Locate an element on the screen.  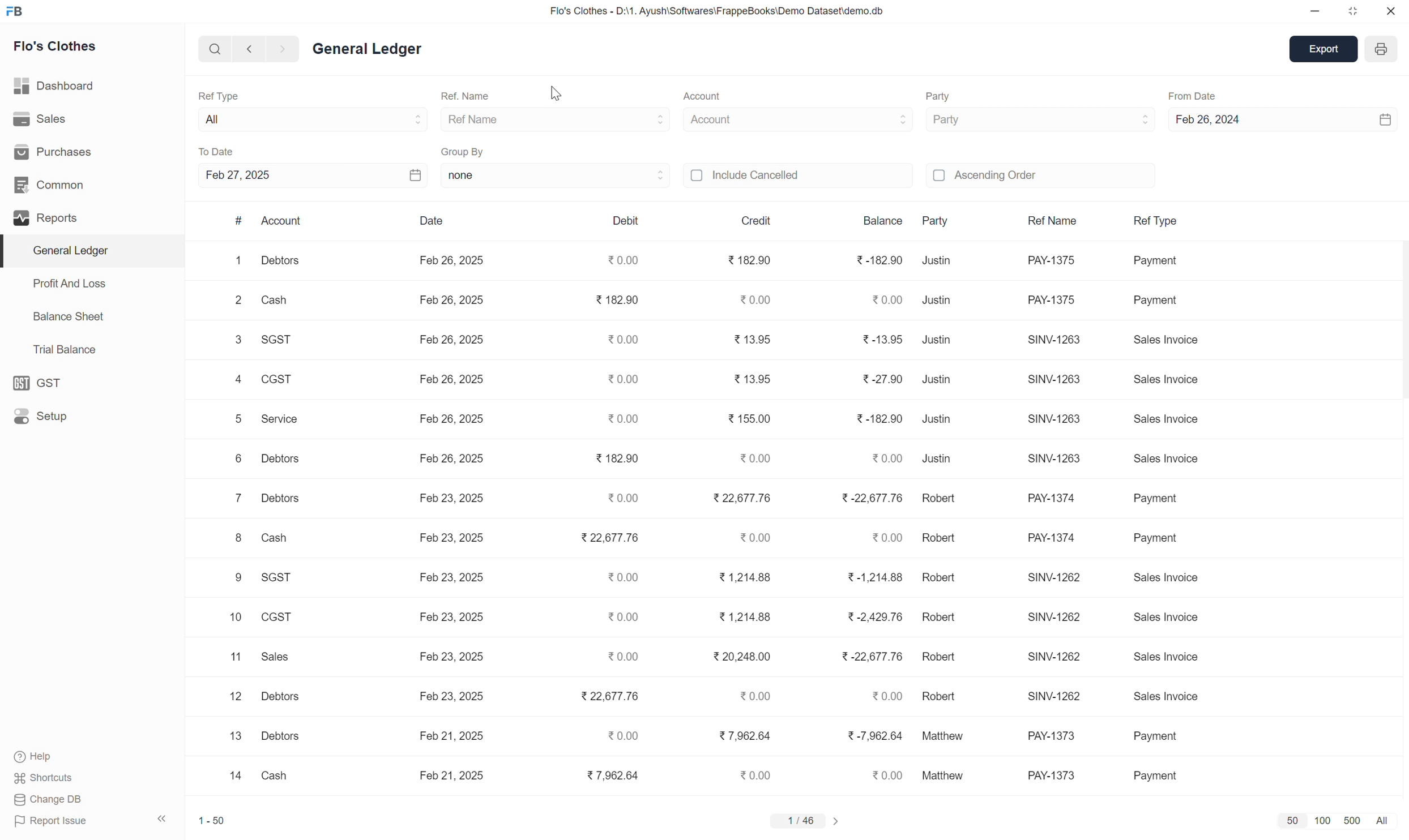
search is located at coordinates (215, 49).